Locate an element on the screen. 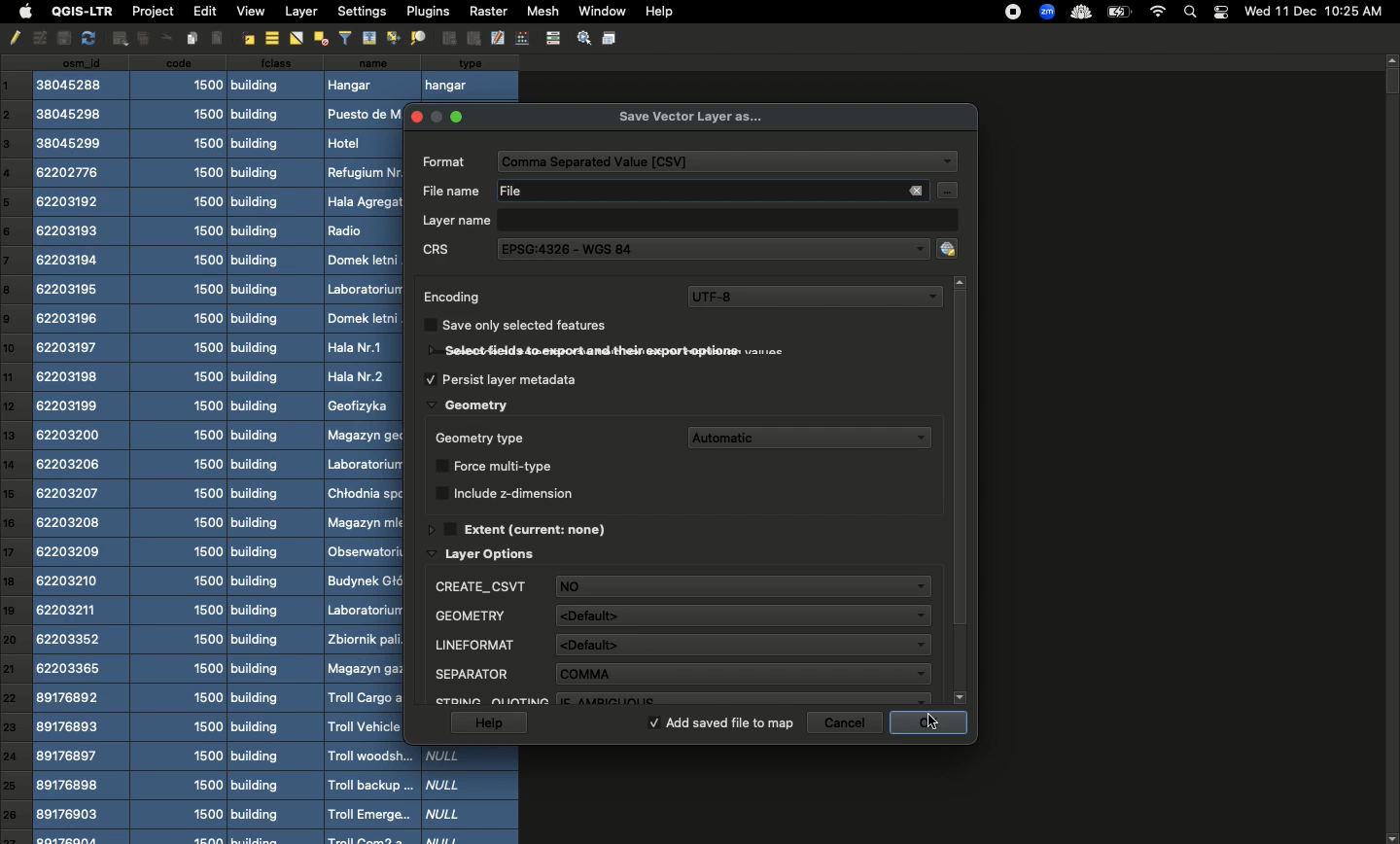 The image size is (1400, 844). Align Left is located at coordinates (220, 37).